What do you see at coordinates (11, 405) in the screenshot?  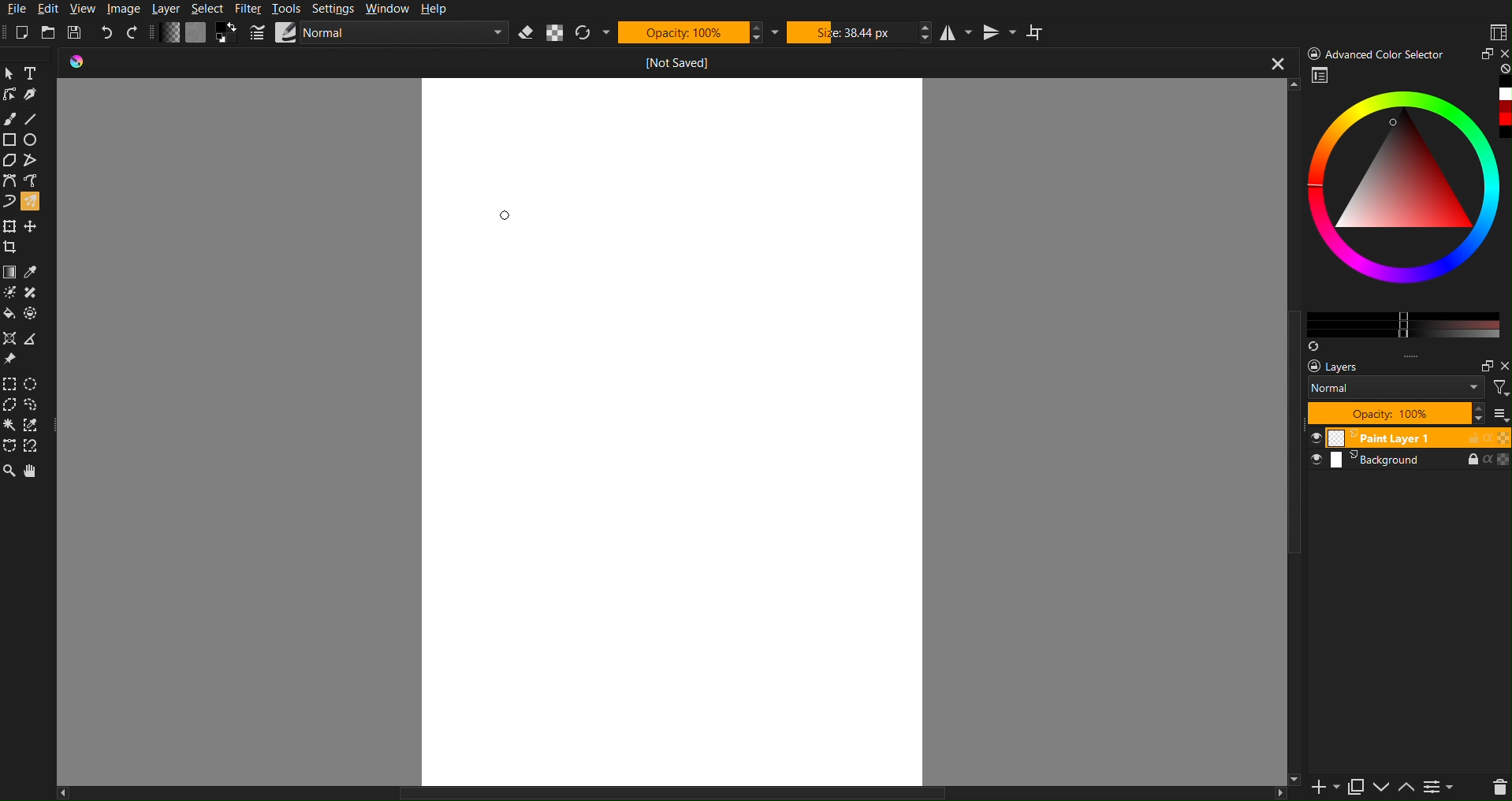 I see `Polygon selection Tool` at bounding box center [11, 405].